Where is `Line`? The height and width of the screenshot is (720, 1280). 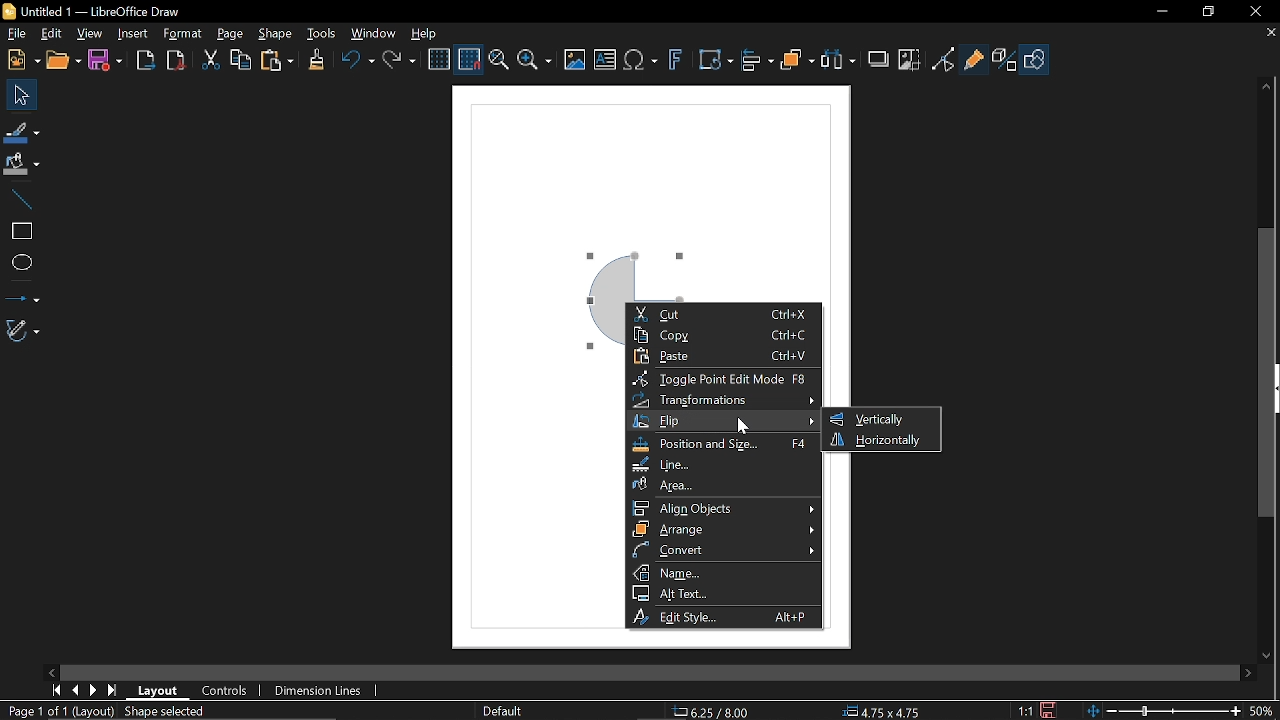
Line is located at coordinates (723, 465).